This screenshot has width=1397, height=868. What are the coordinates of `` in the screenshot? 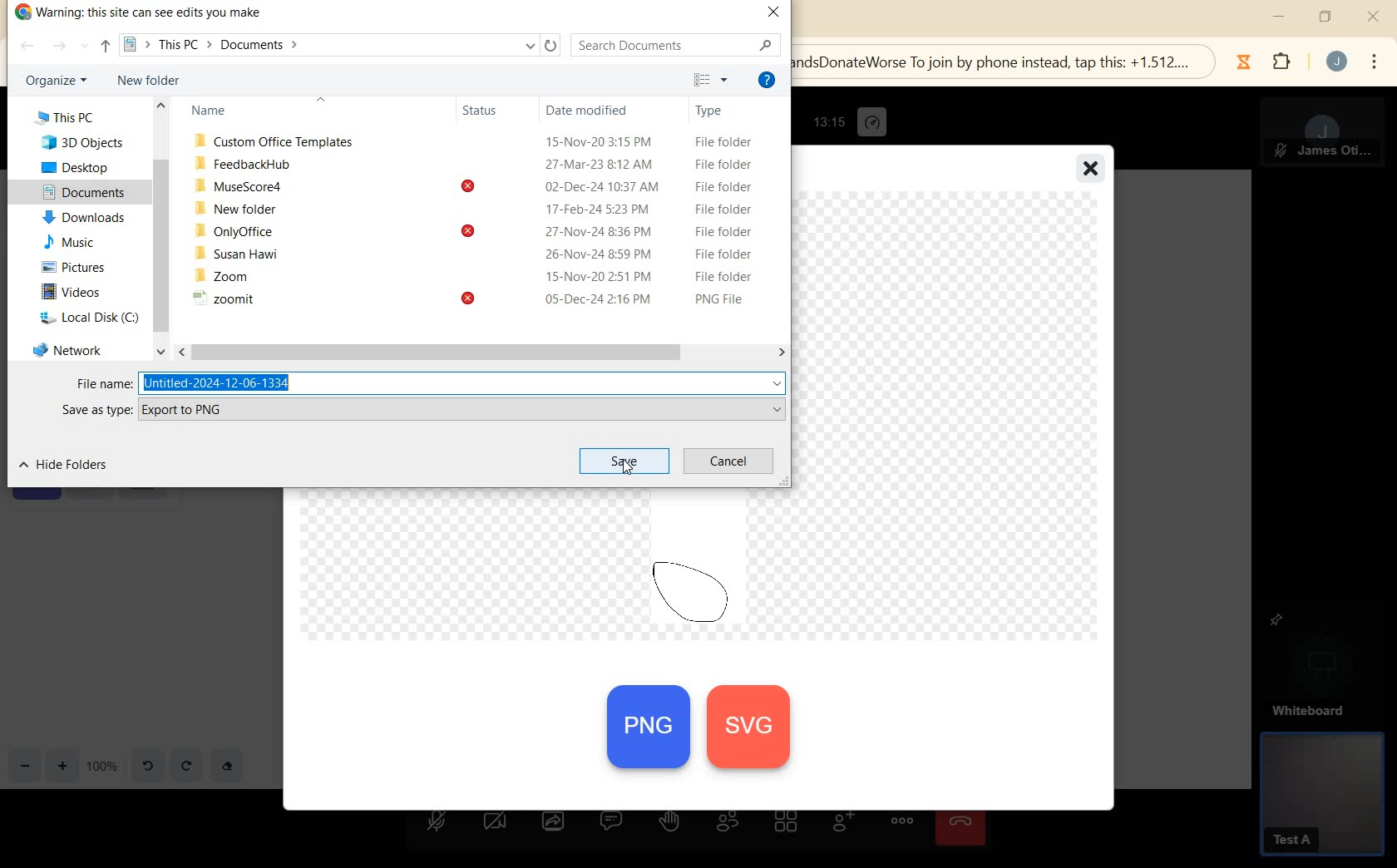 It's located at (471, 230).